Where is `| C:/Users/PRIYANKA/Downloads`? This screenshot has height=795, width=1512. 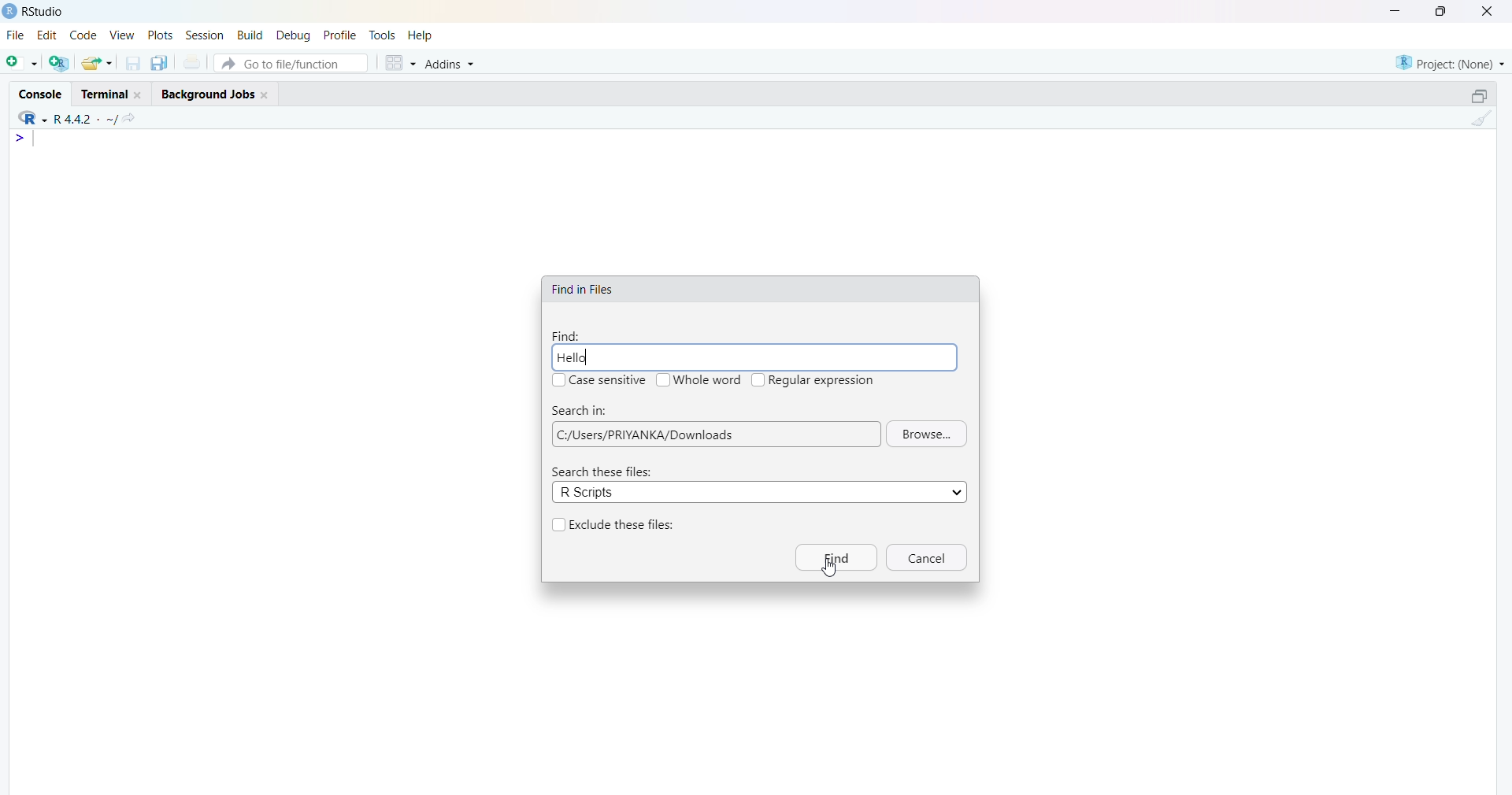
| C:/Users/PRIYANKA/Downloads is located at coordinates (717, 434).